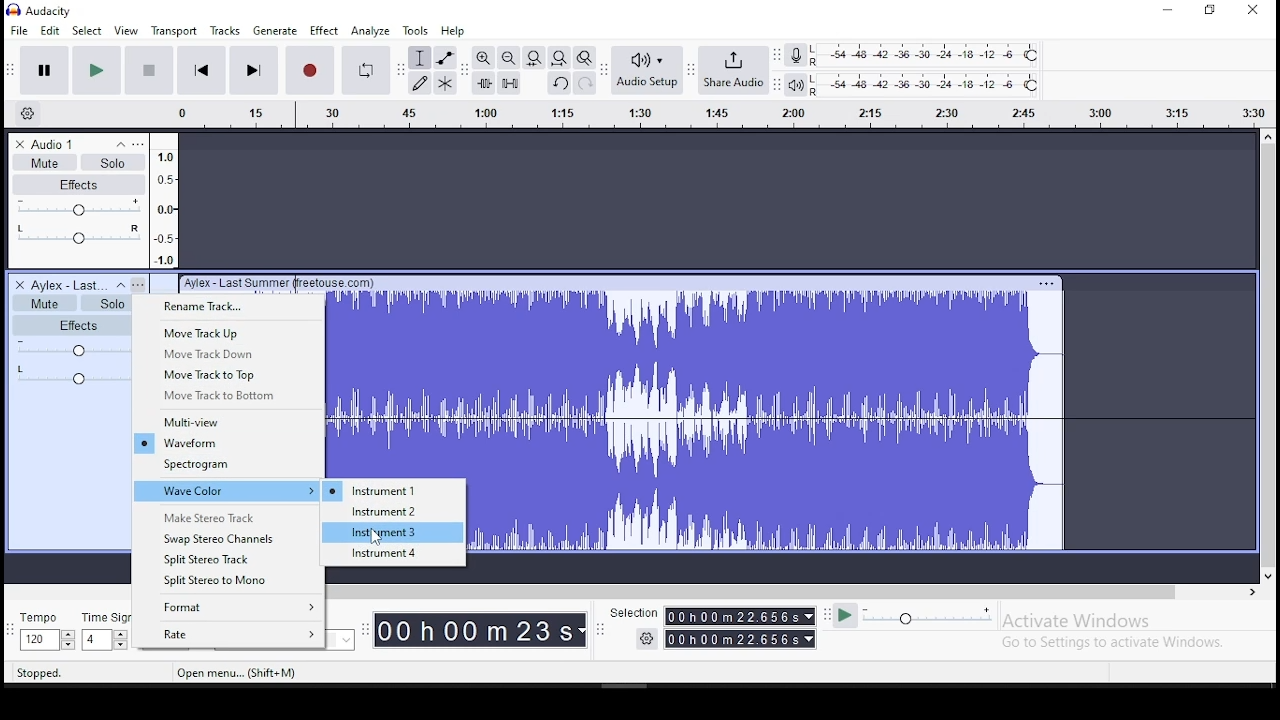 The width and height of the screenshot is (1280, 720). I want to click on fit selection to width, so click(533, 58).